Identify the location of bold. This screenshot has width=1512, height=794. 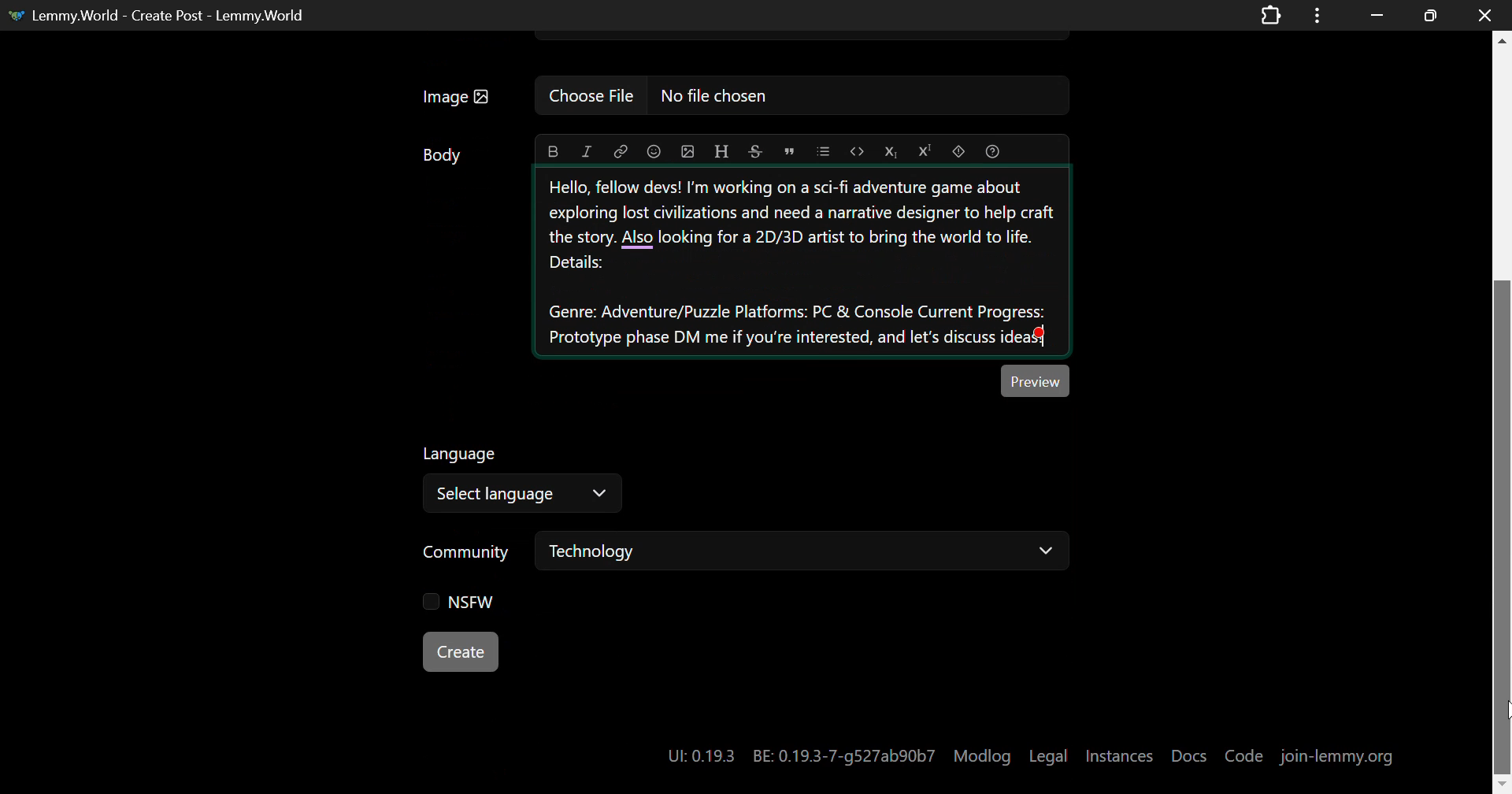
(552, 151).